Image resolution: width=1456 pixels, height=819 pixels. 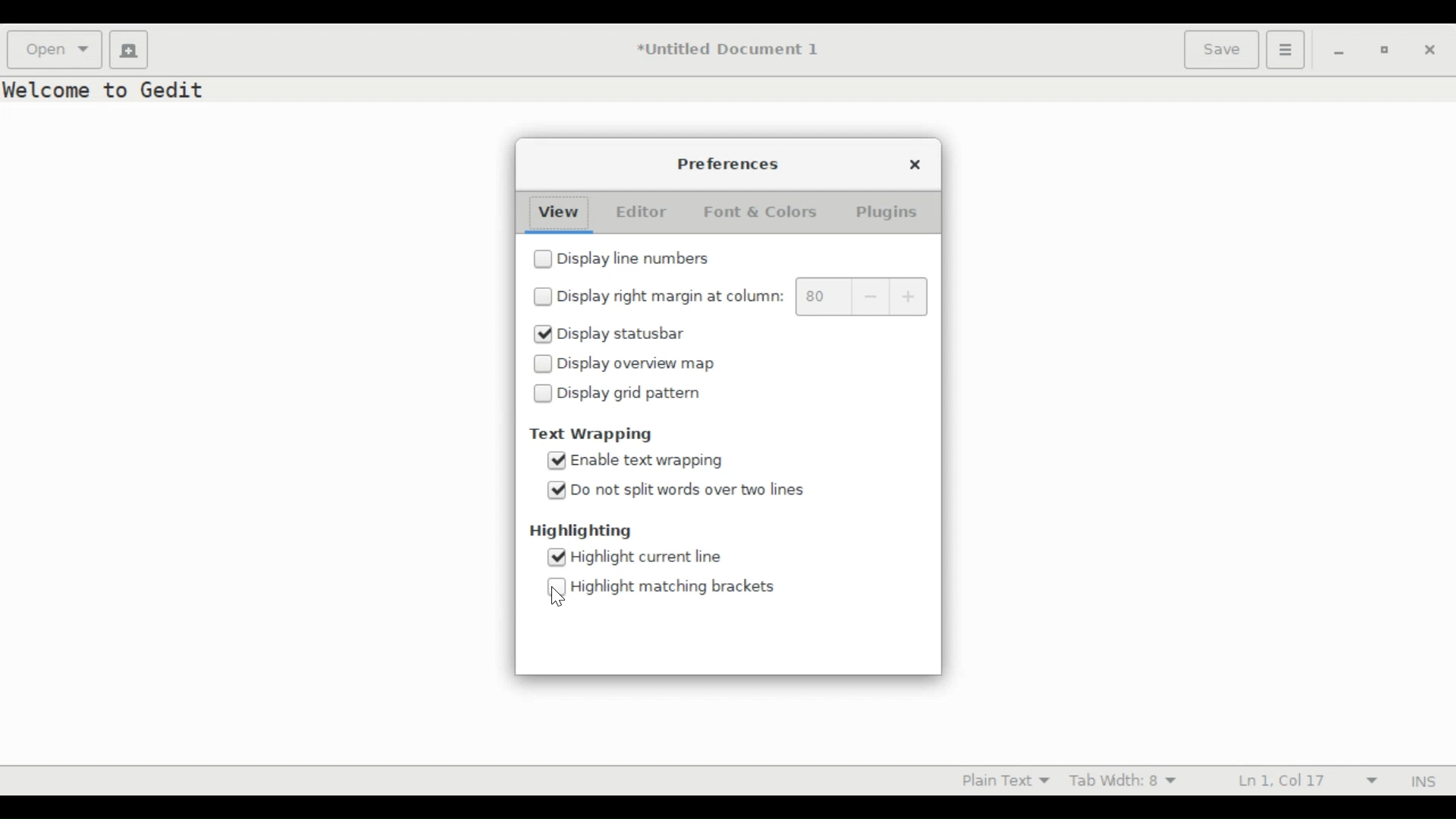 What do you see at coordinates (708, 491) in the screenshot?
I see ` Do not split words over two lines` at bounding box center [708, 491].